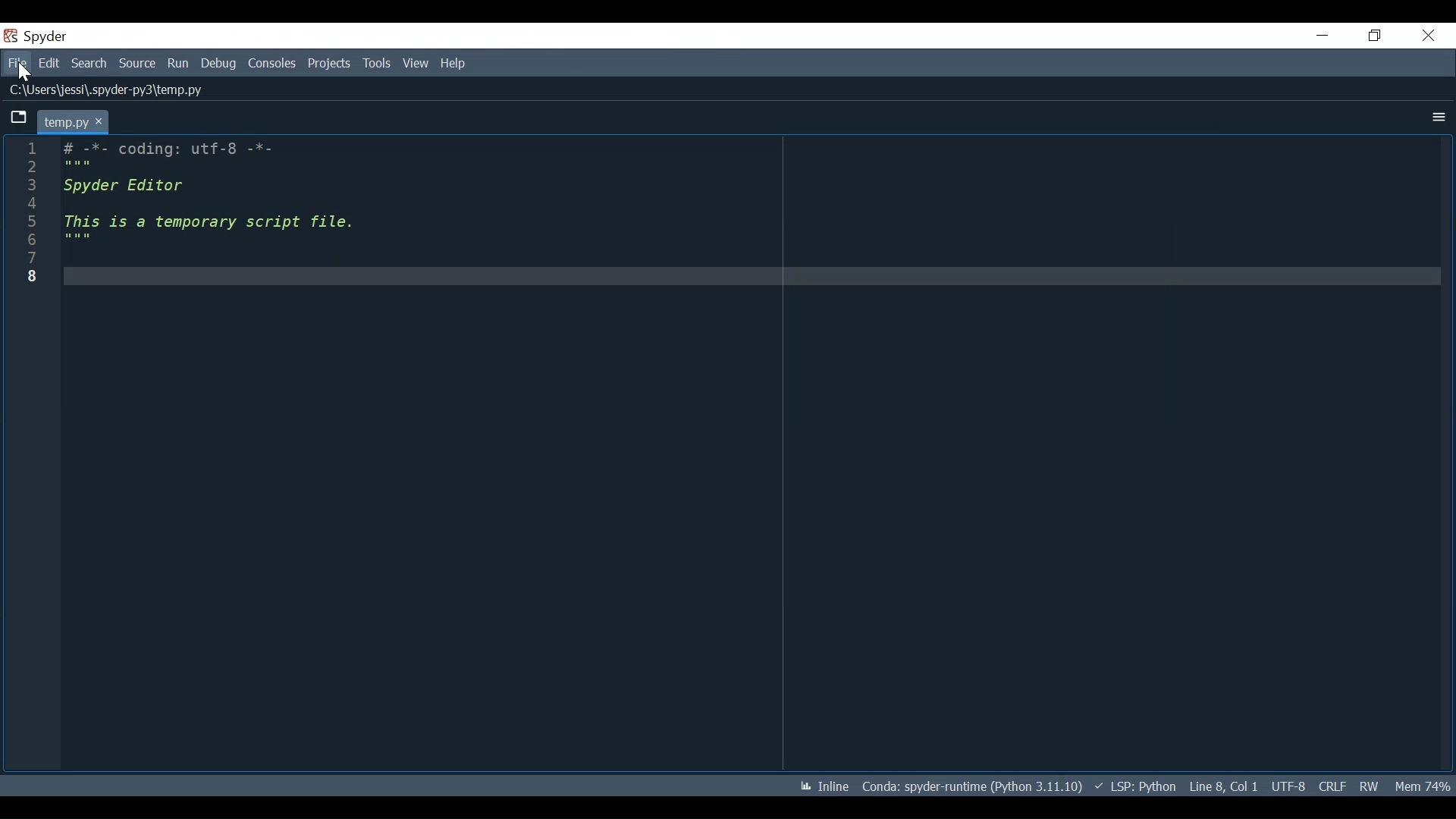  What do you see at coordinates (1222, 788) in the screenshot?
I see `Line 8, Col 1` at bounding box center [1222, 788].